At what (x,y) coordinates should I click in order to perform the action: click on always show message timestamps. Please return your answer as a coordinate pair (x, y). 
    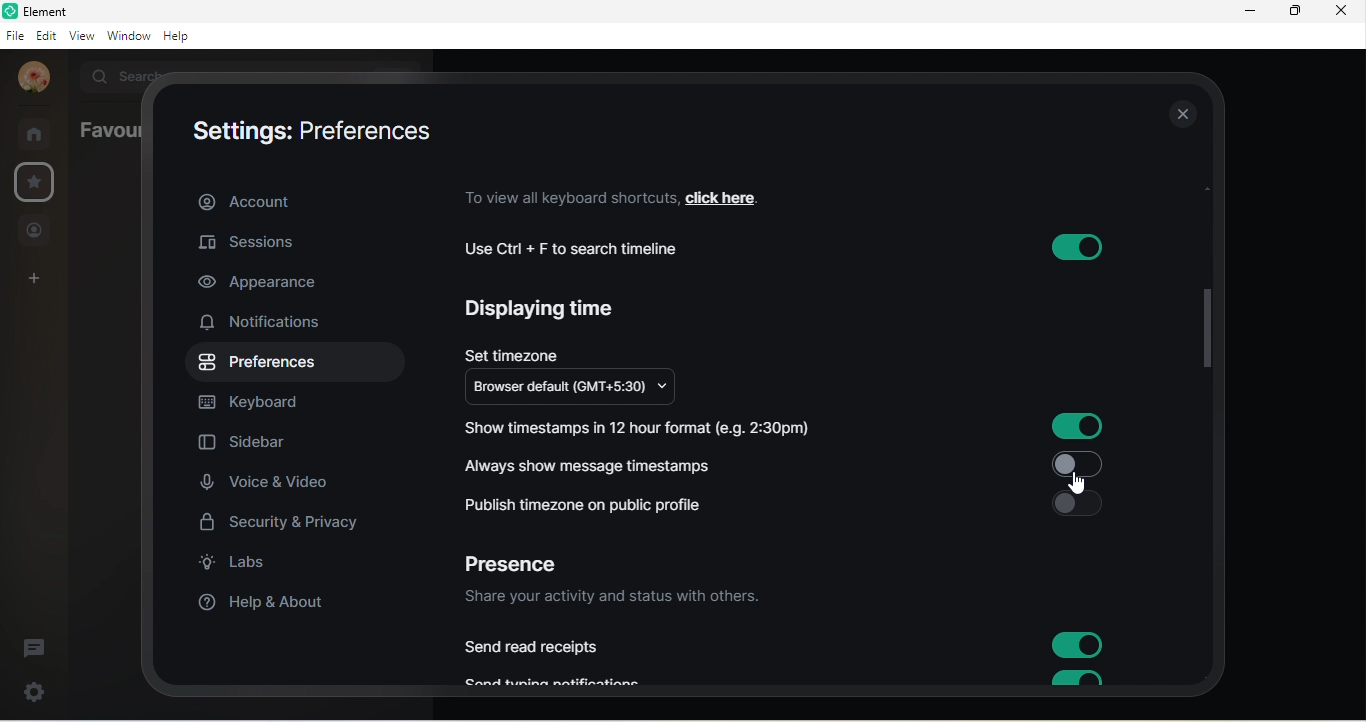
    Looking at the image, I should click on (595, 464).